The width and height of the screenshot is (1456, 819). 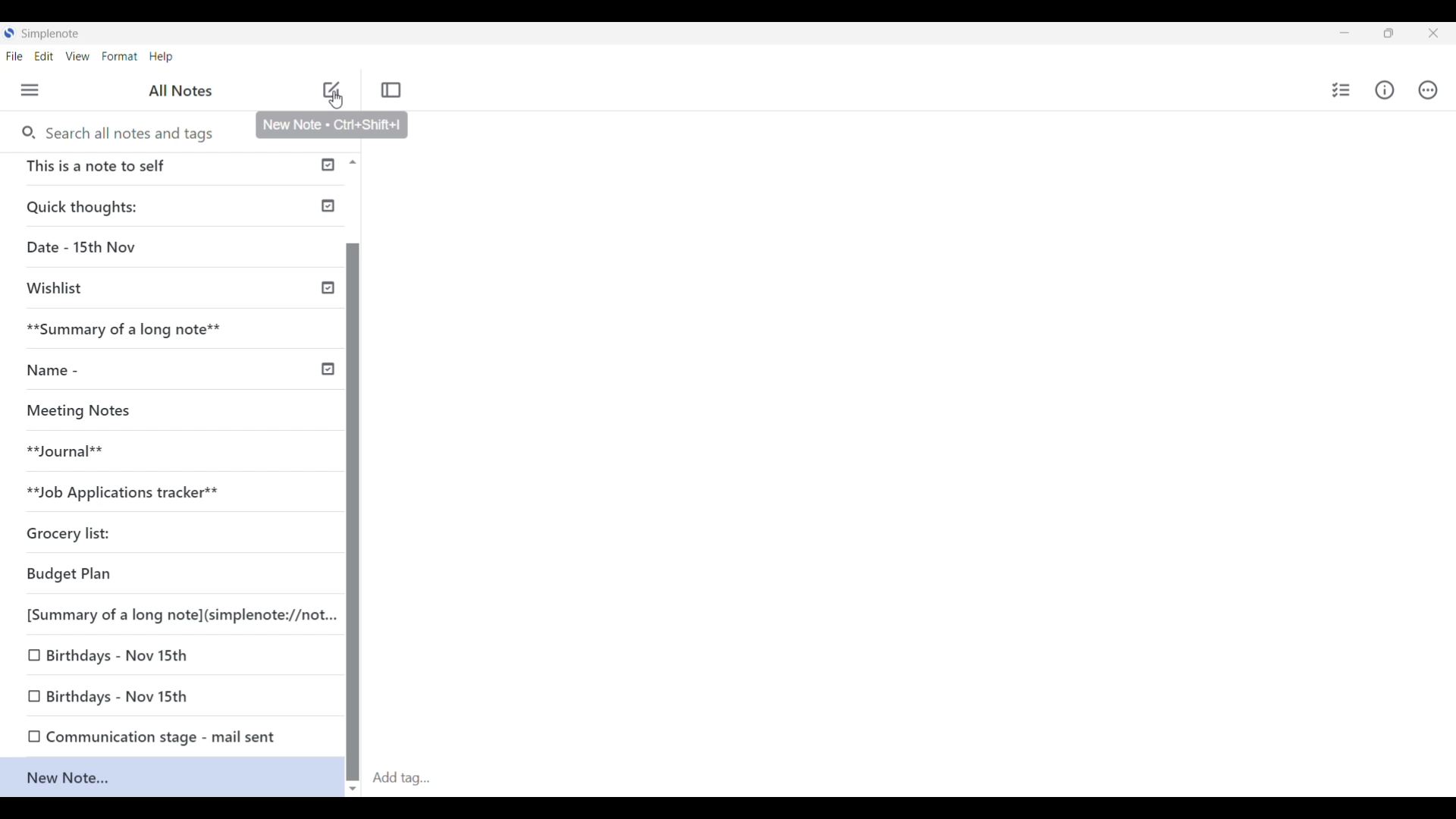 I want to click on Title of left panel, so click(x=183, y=89).